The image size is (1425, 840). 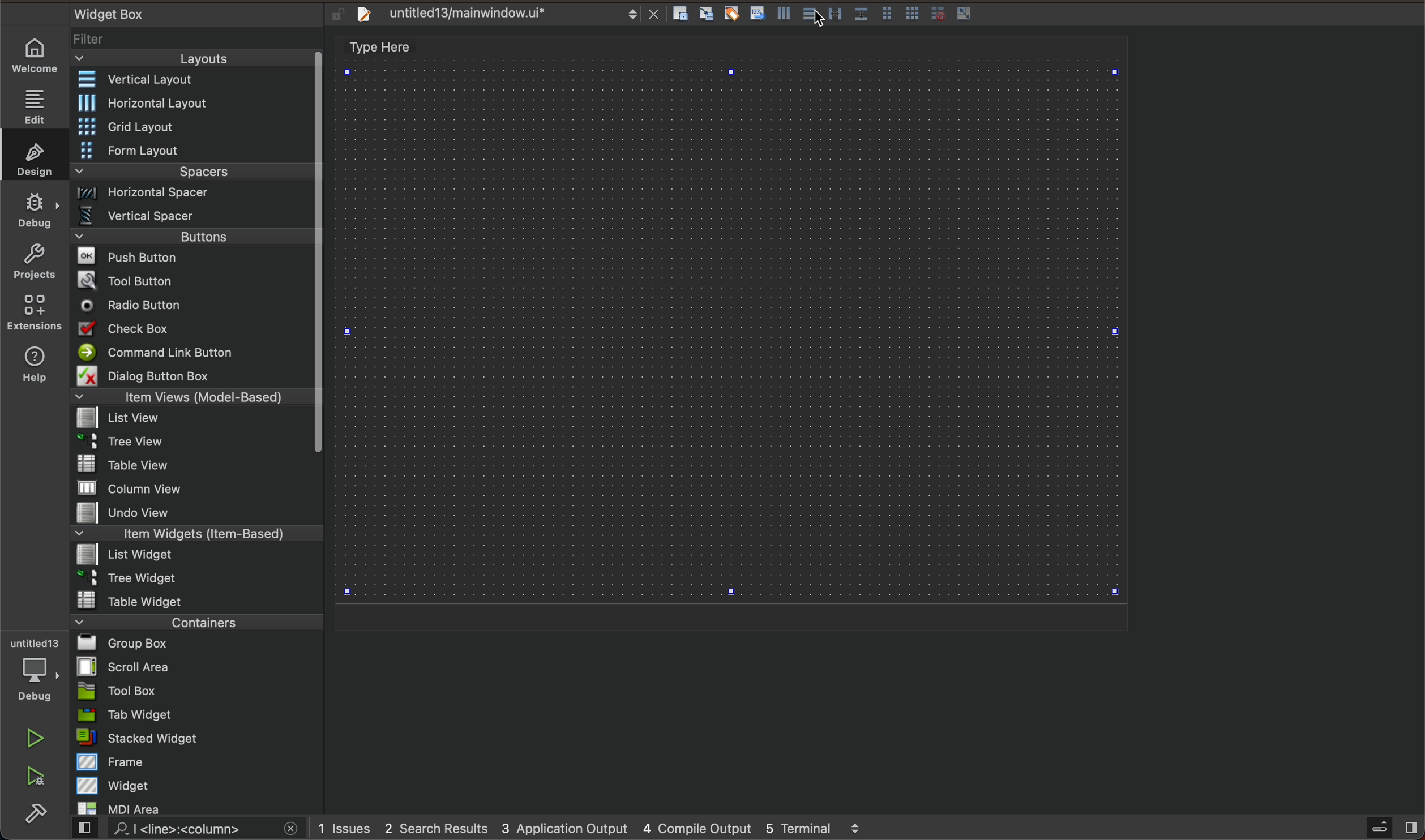 What do you see at coordinates (193, 256) in the screenshot?
I see `push buttons` at bounding box center [193, 256].